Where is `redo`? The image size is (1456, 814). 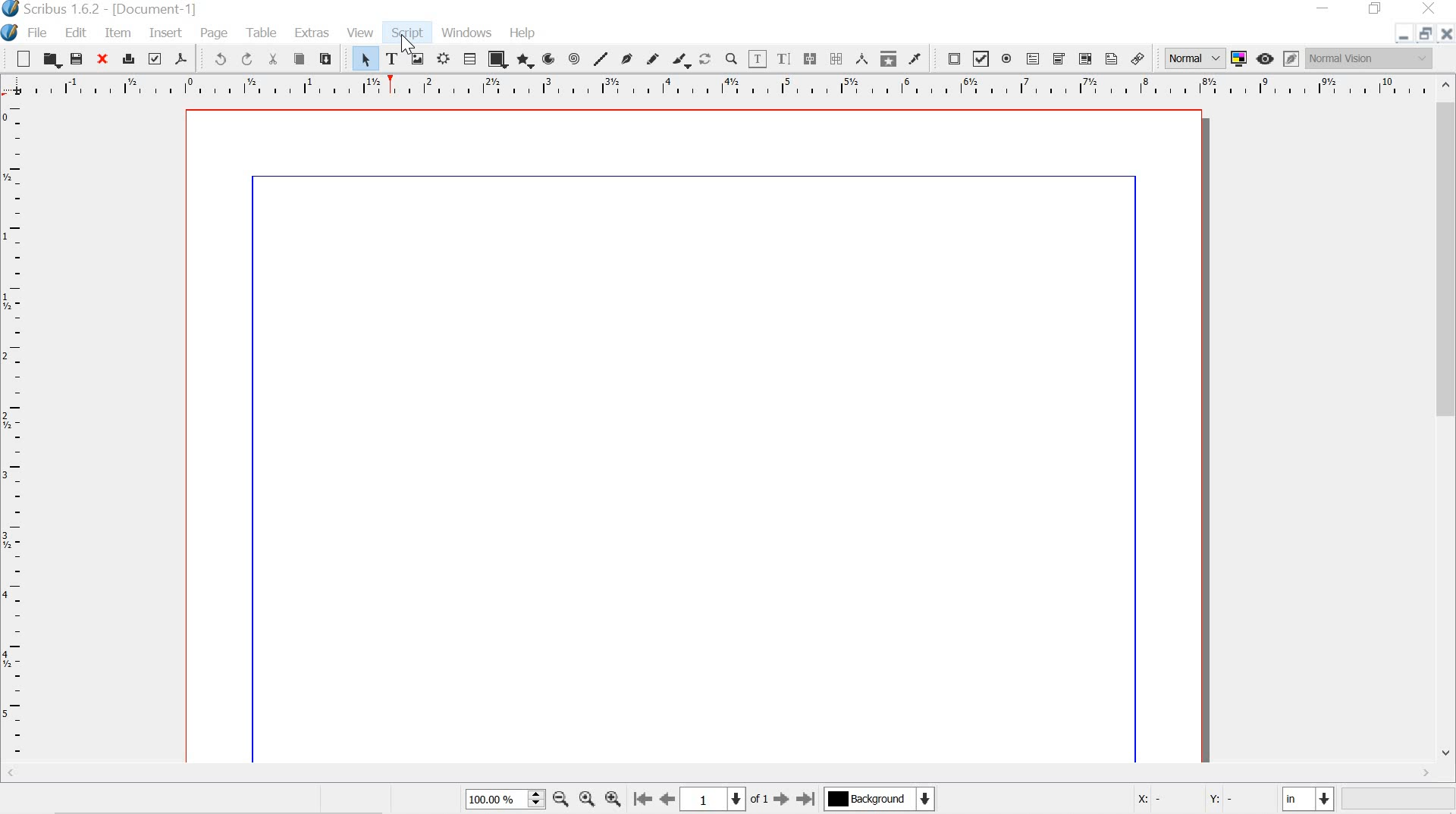 redo is located at coordinates (248, 59).